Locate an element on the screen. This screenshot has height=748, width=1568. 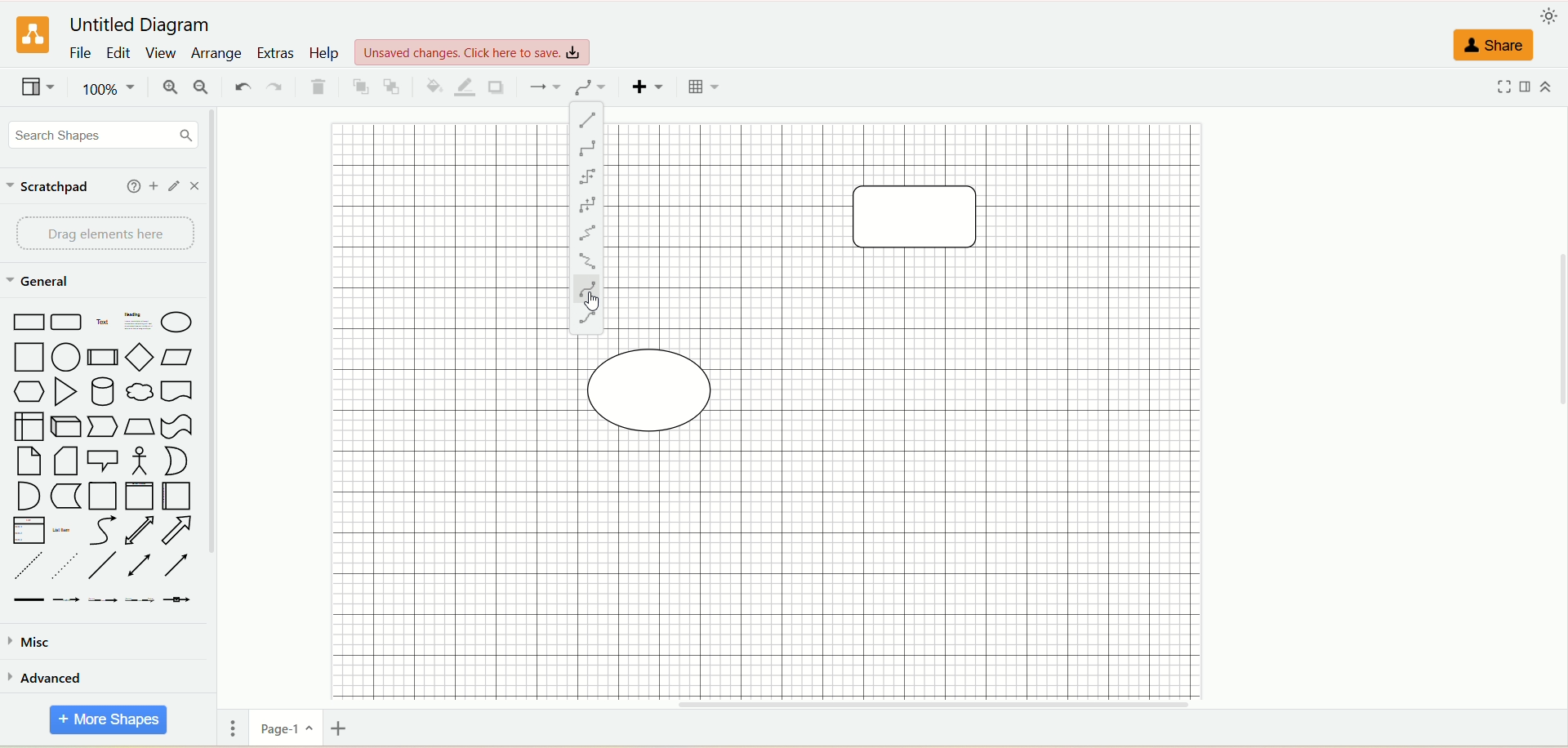
redo is located at coordinates (275, 87).